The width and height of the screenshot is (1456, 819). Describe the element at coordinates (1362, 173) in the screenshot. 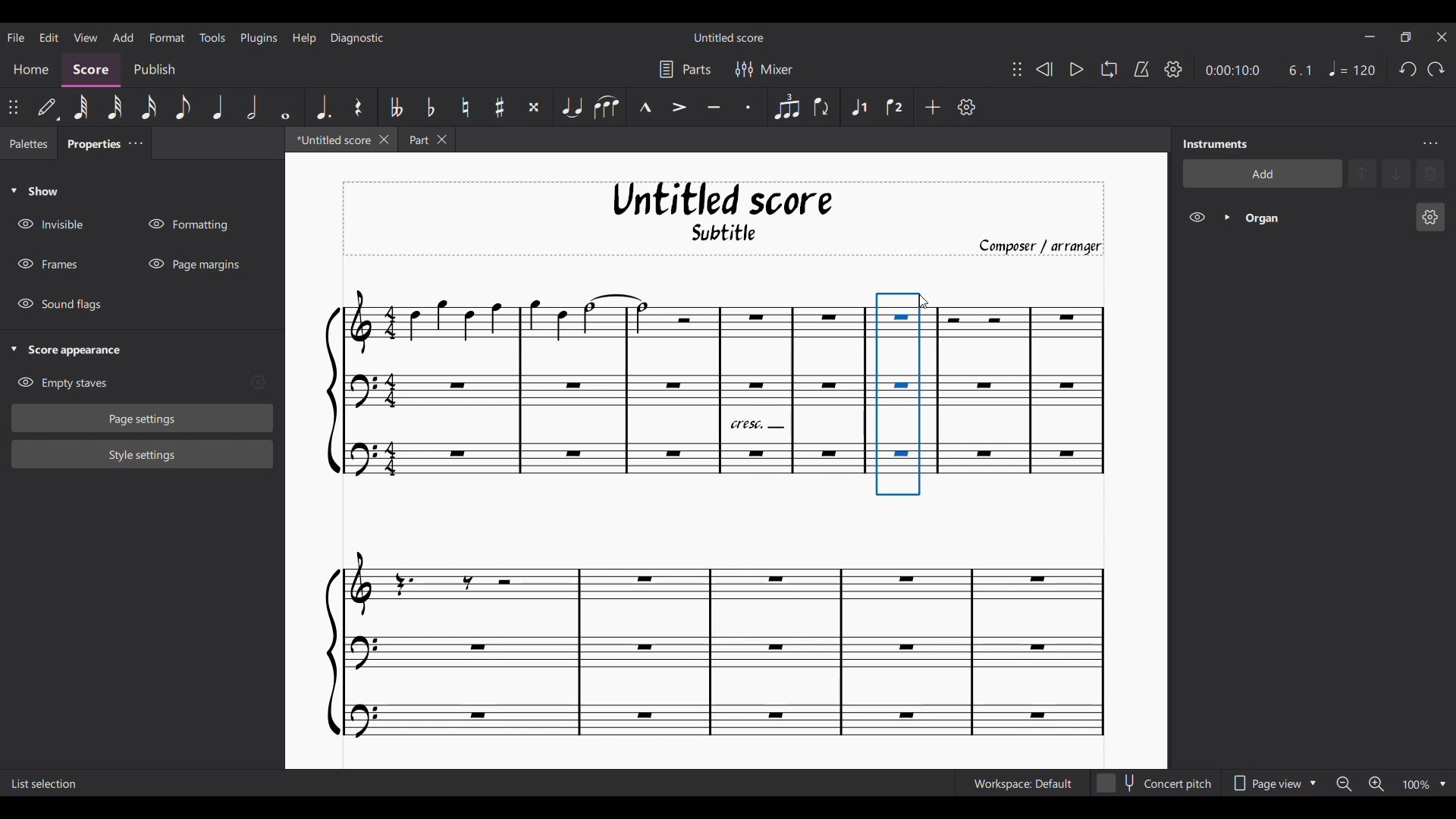

I see `Move selection up` at that location.